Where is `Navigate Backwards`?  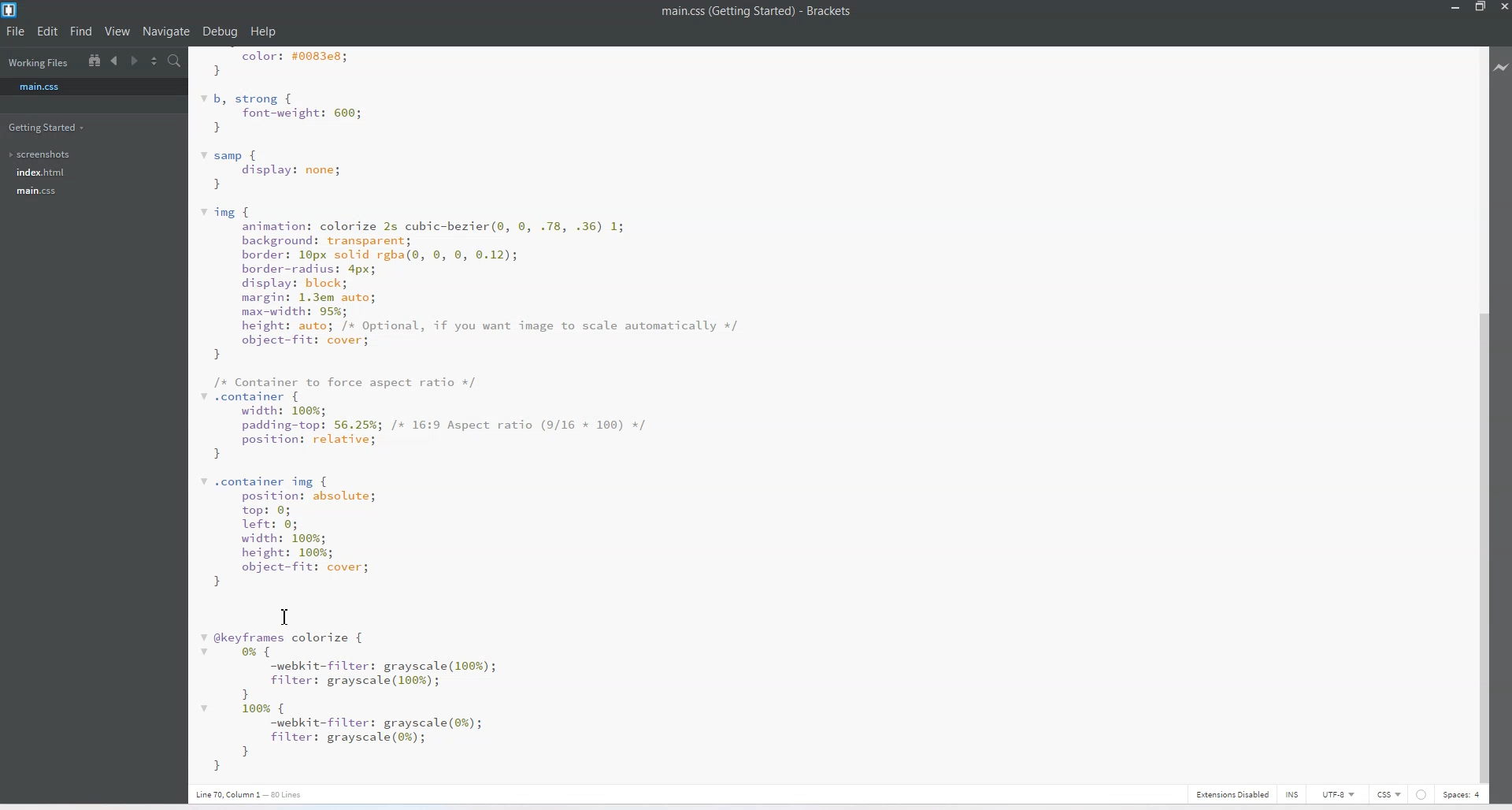 Navigate Backwards is located at coordinates (117, 61).